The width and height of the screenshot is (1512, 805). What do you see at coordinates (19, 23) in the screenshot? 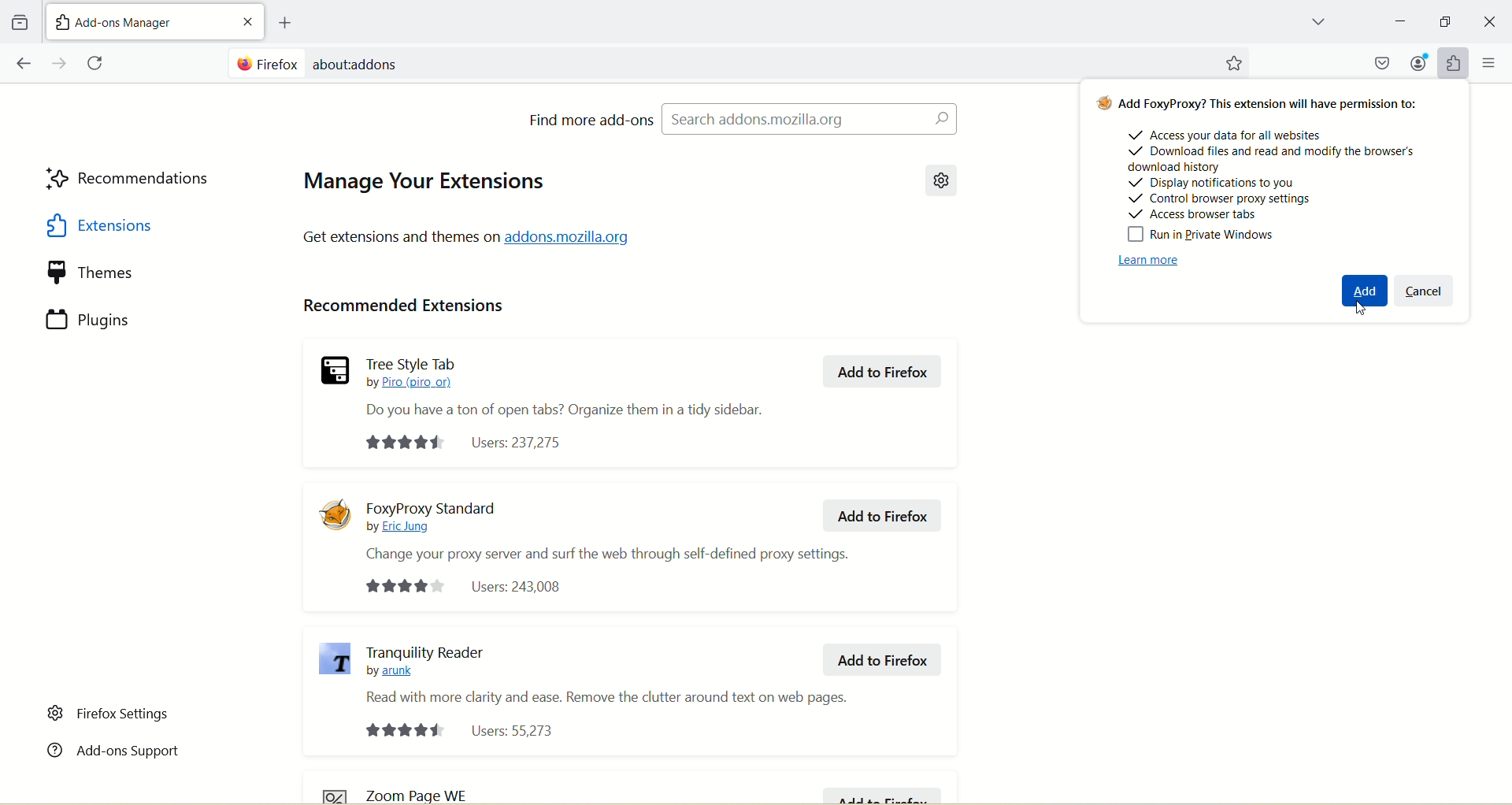
I see `Folder` at bounding box center [19, 23].